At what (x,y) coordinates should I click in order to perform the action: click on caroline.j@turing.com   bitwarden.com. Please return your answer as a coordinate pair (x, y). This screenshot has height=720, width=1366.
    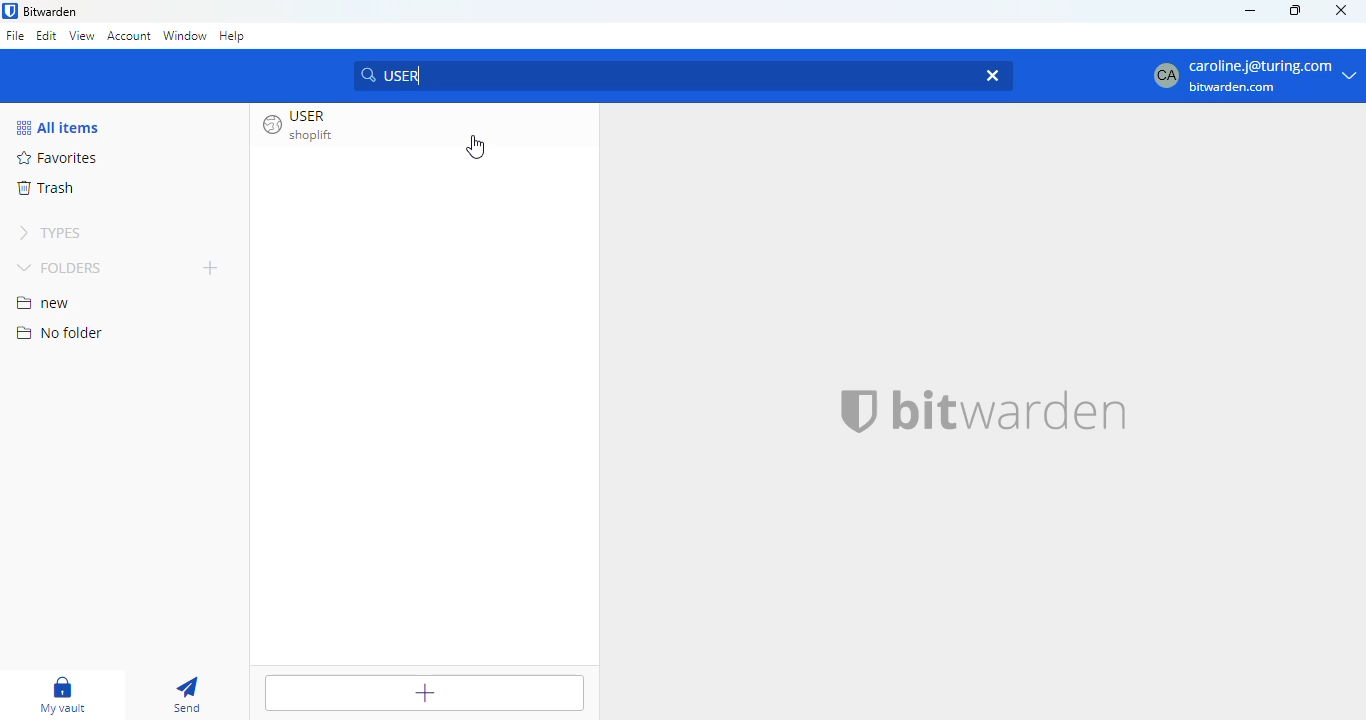
    Looking at the image, I should click on (1251, 77).